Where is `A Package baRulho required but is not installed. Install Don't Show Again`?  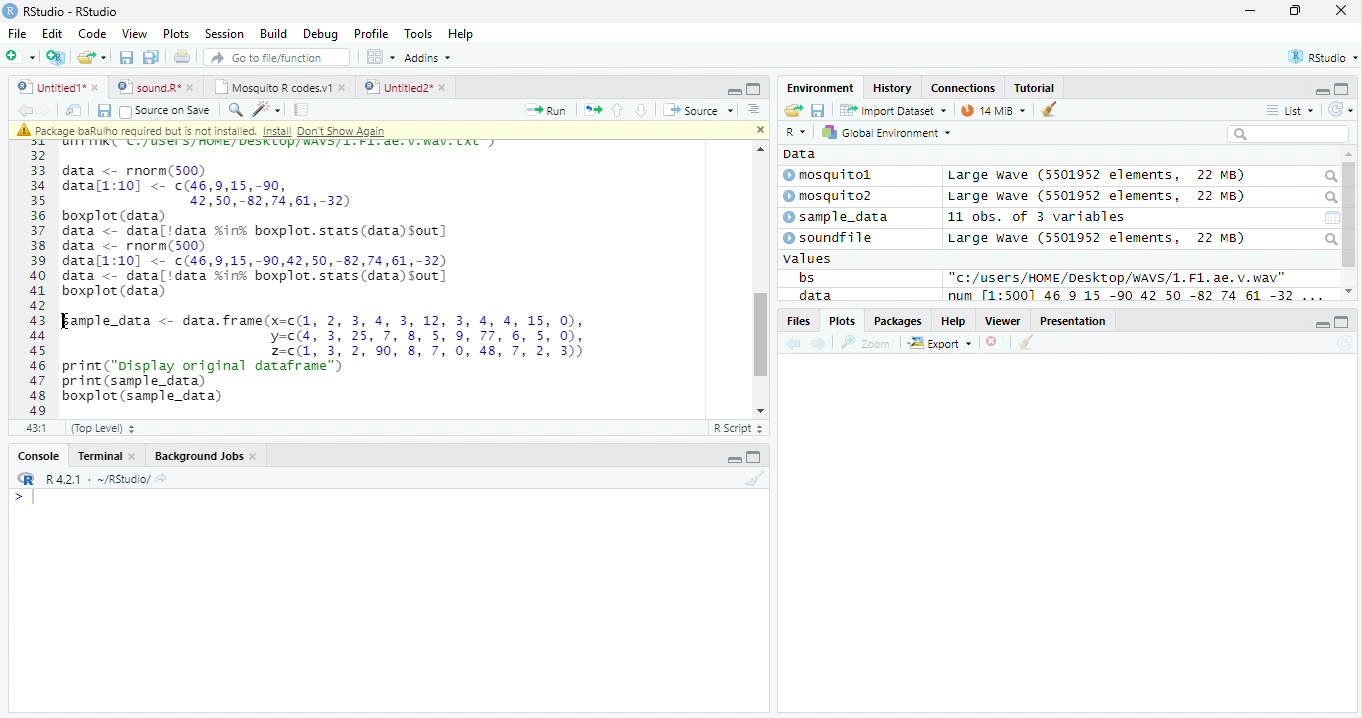
A Package baRulho required but is not installed. Install Don't Show Again is located at coordinates (242, 130).